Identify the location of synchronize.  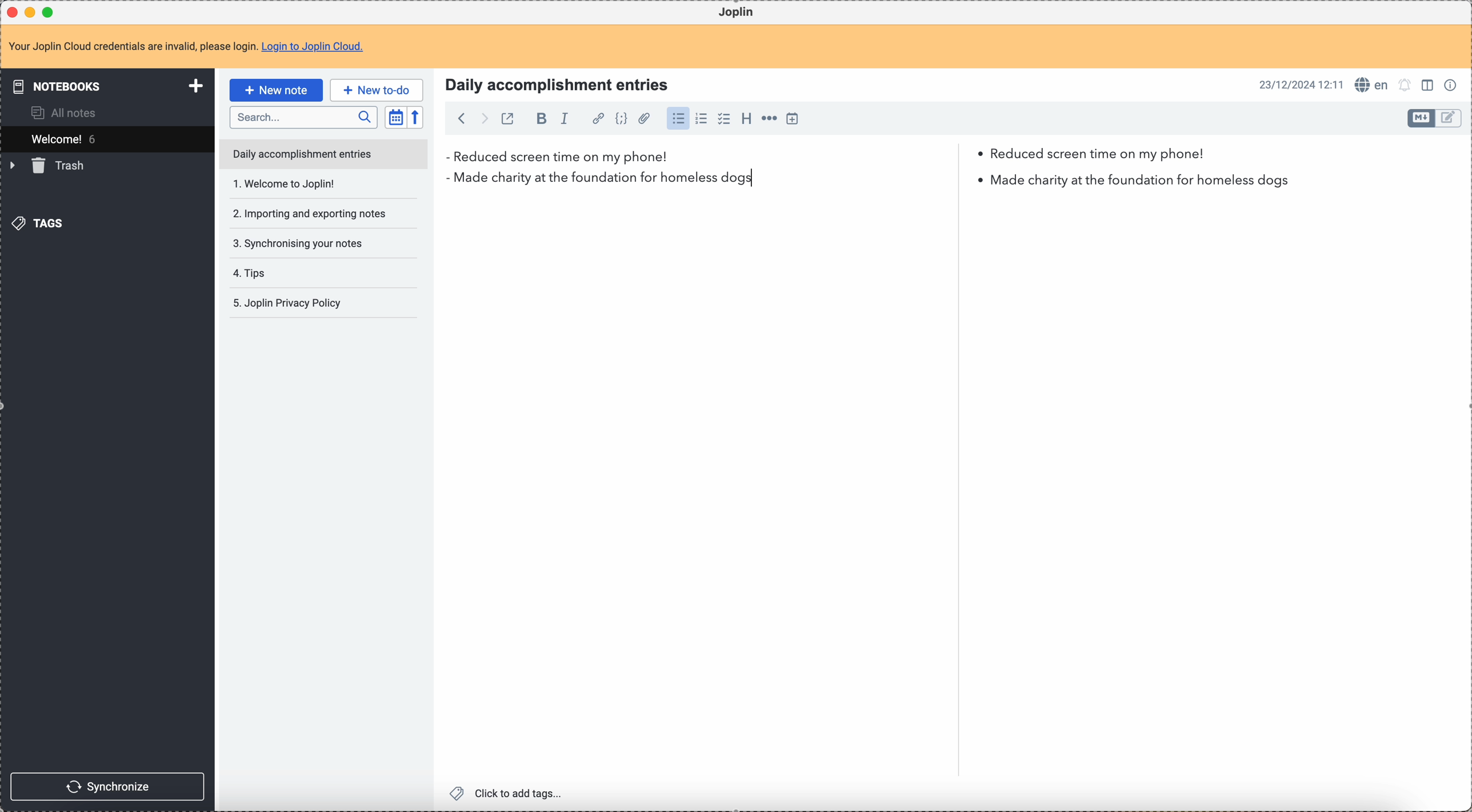
(107, 785).